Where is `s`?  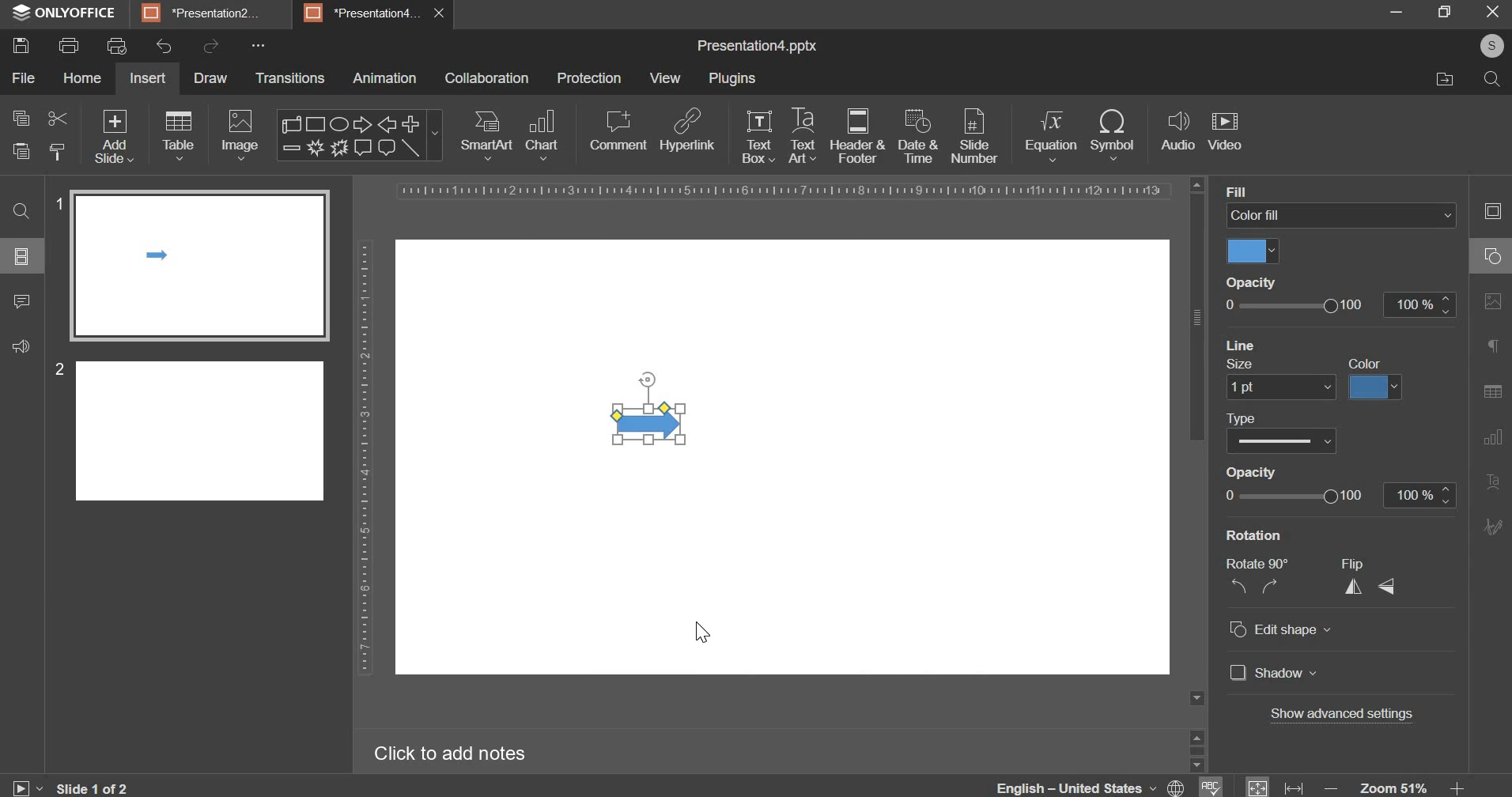
s is located at coordinates (1495, 46).